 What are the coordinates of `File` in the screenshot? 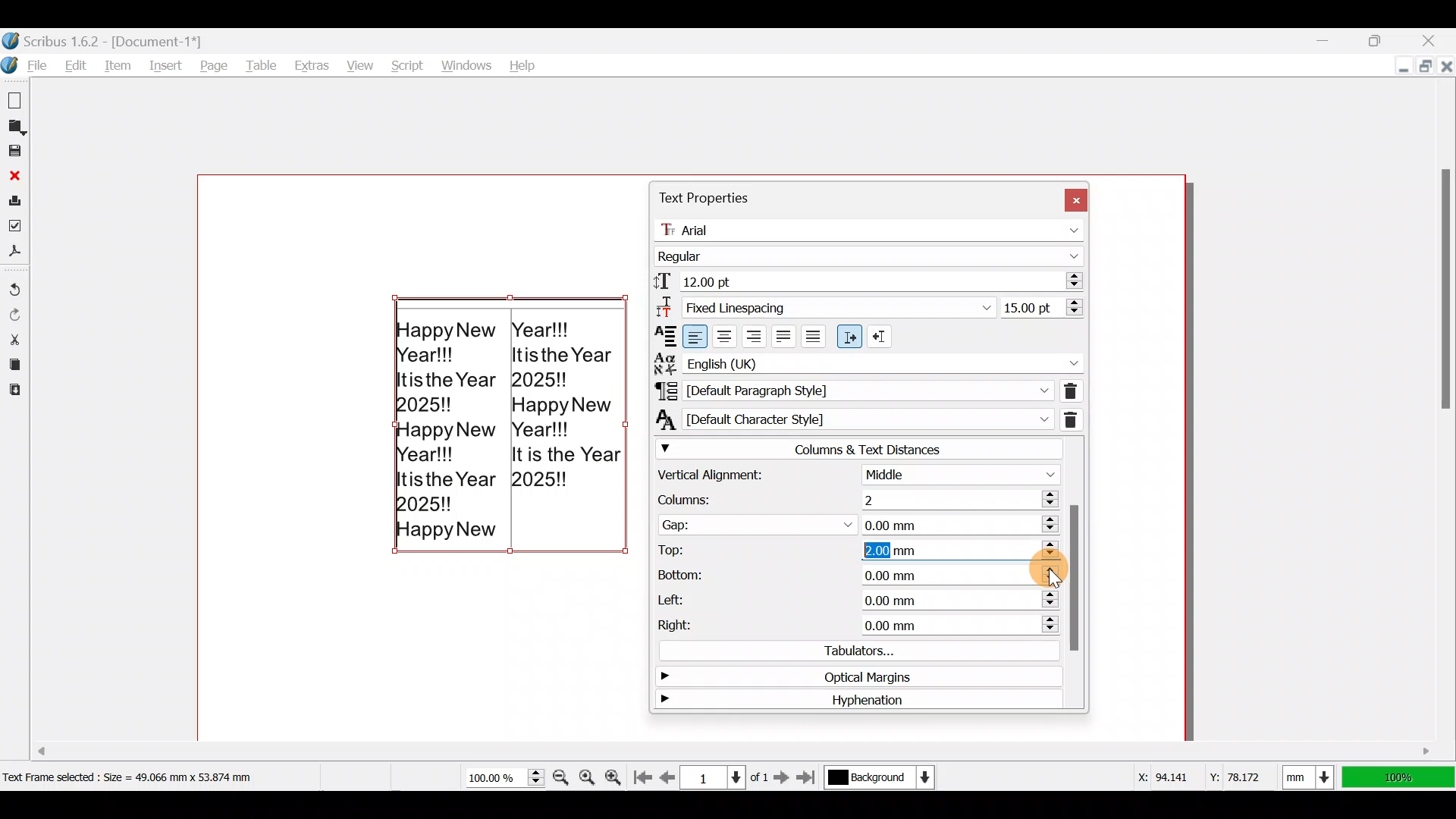 It's located at (26, 66).